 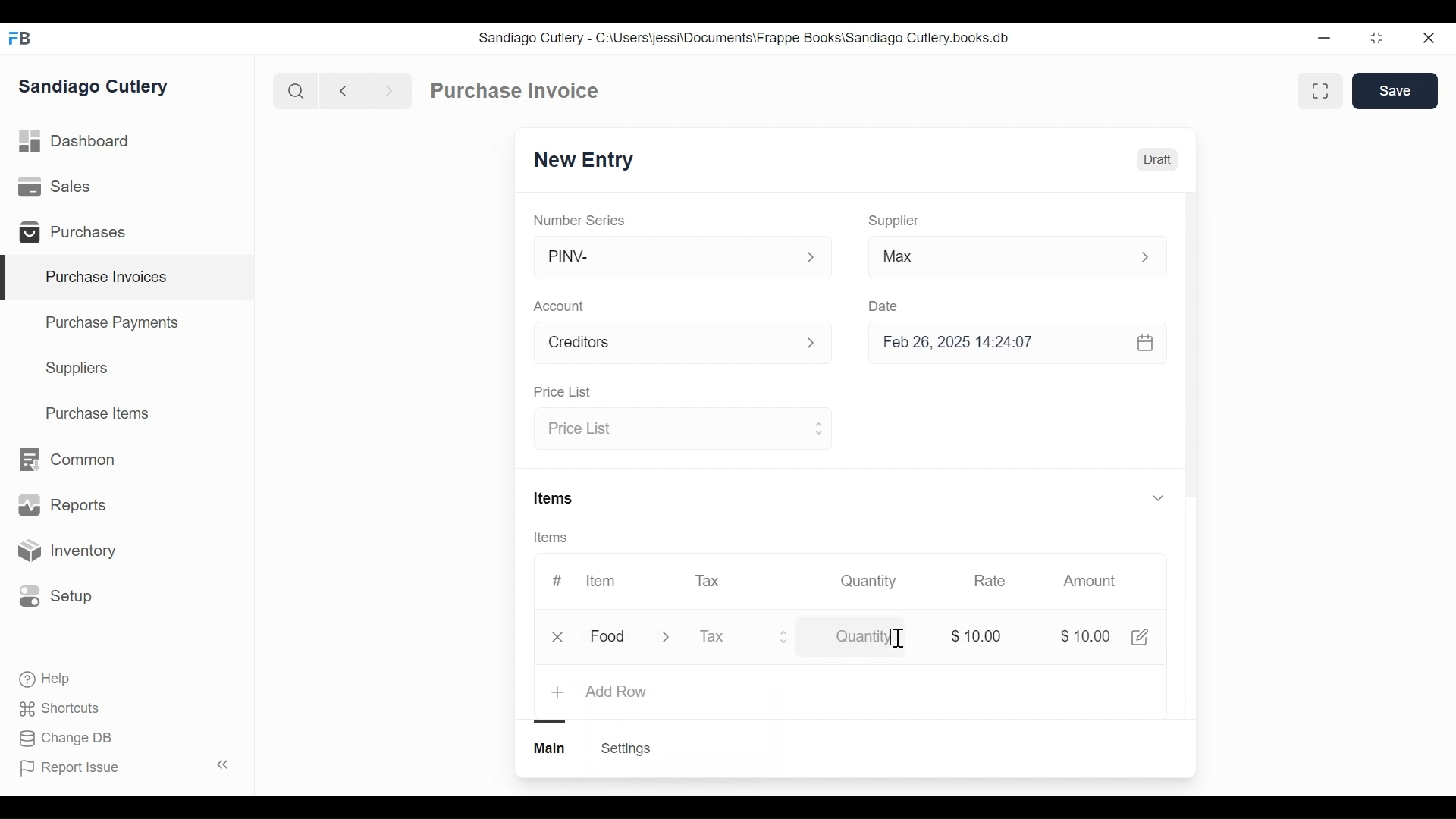 What do you see at coordinates (1191, 358) in the screenshot?
I see `Vertical Scroll bar` at bounding box center [1191, 358].